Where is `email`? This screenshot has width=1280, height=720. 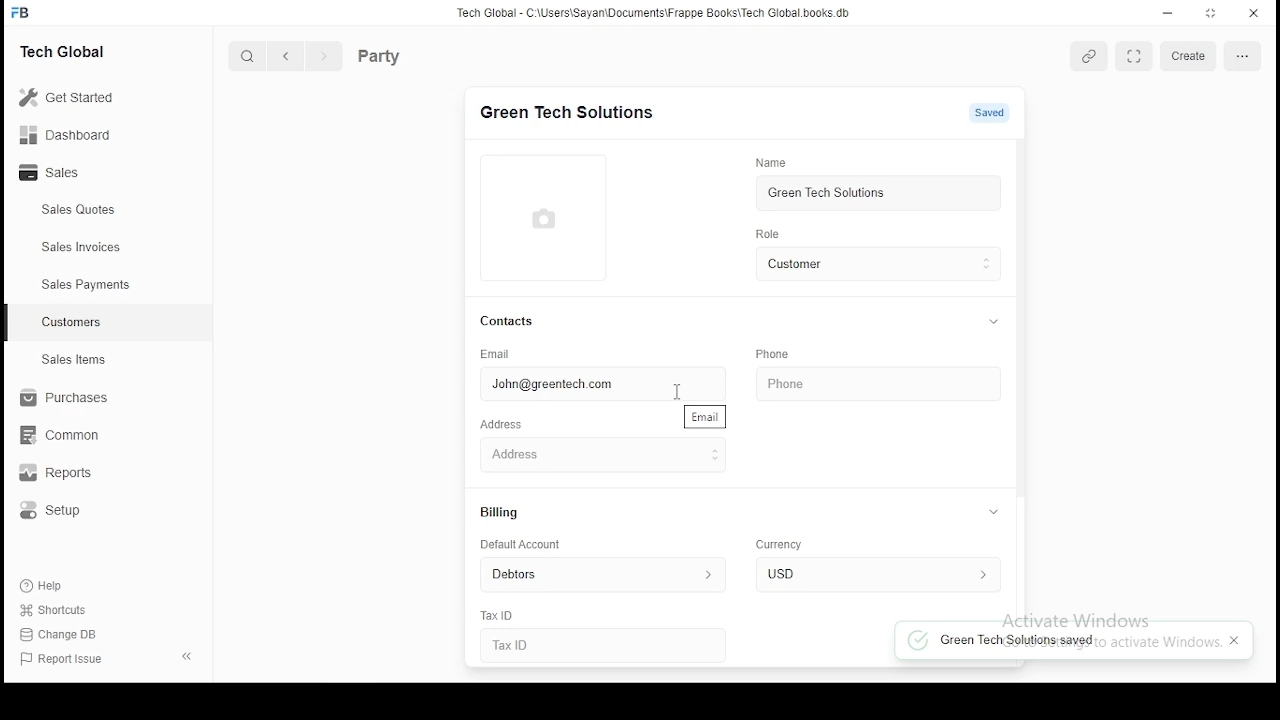
email is located at coordinates (497, 354).